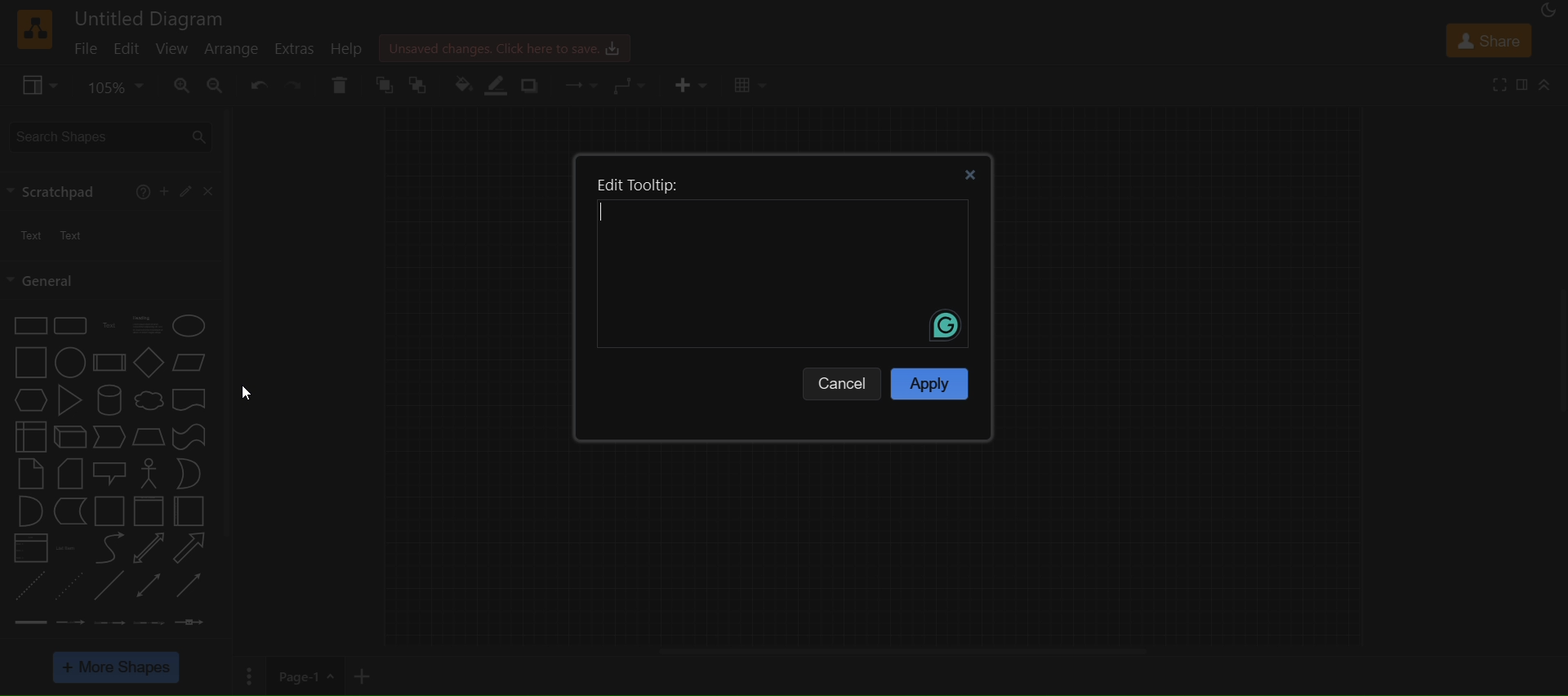 This screenshot has height=696, width=1568. What do you see at coordinates (29, 364) in the screenshot?
I see `square` at bounding box center [29, 364].